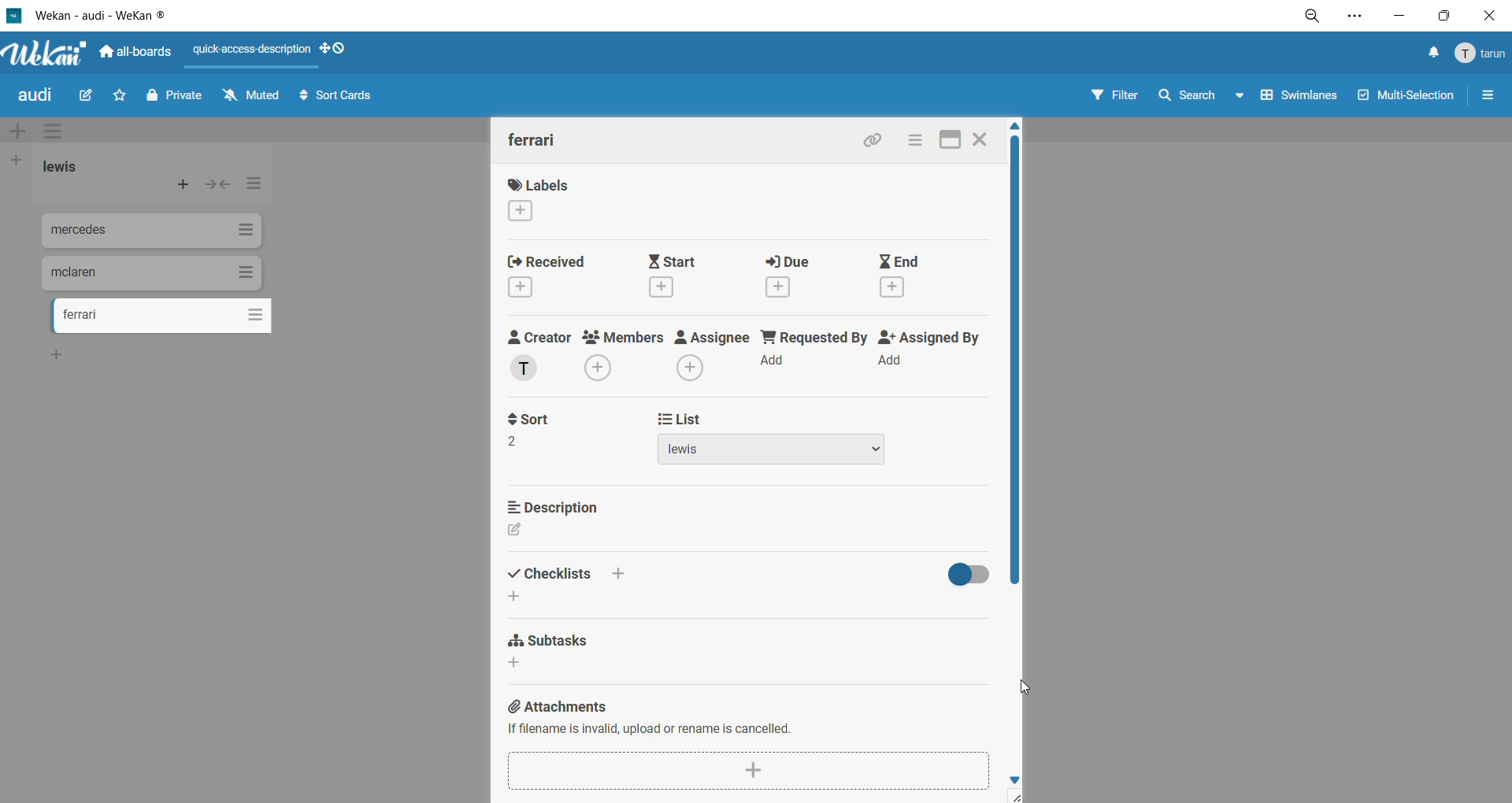 Image resolution: width=1512 pixels, height=803 pixels. What do you see at coordinates (123, 94) in the screenshot?
I see `star` at bounding box center [123, 94].